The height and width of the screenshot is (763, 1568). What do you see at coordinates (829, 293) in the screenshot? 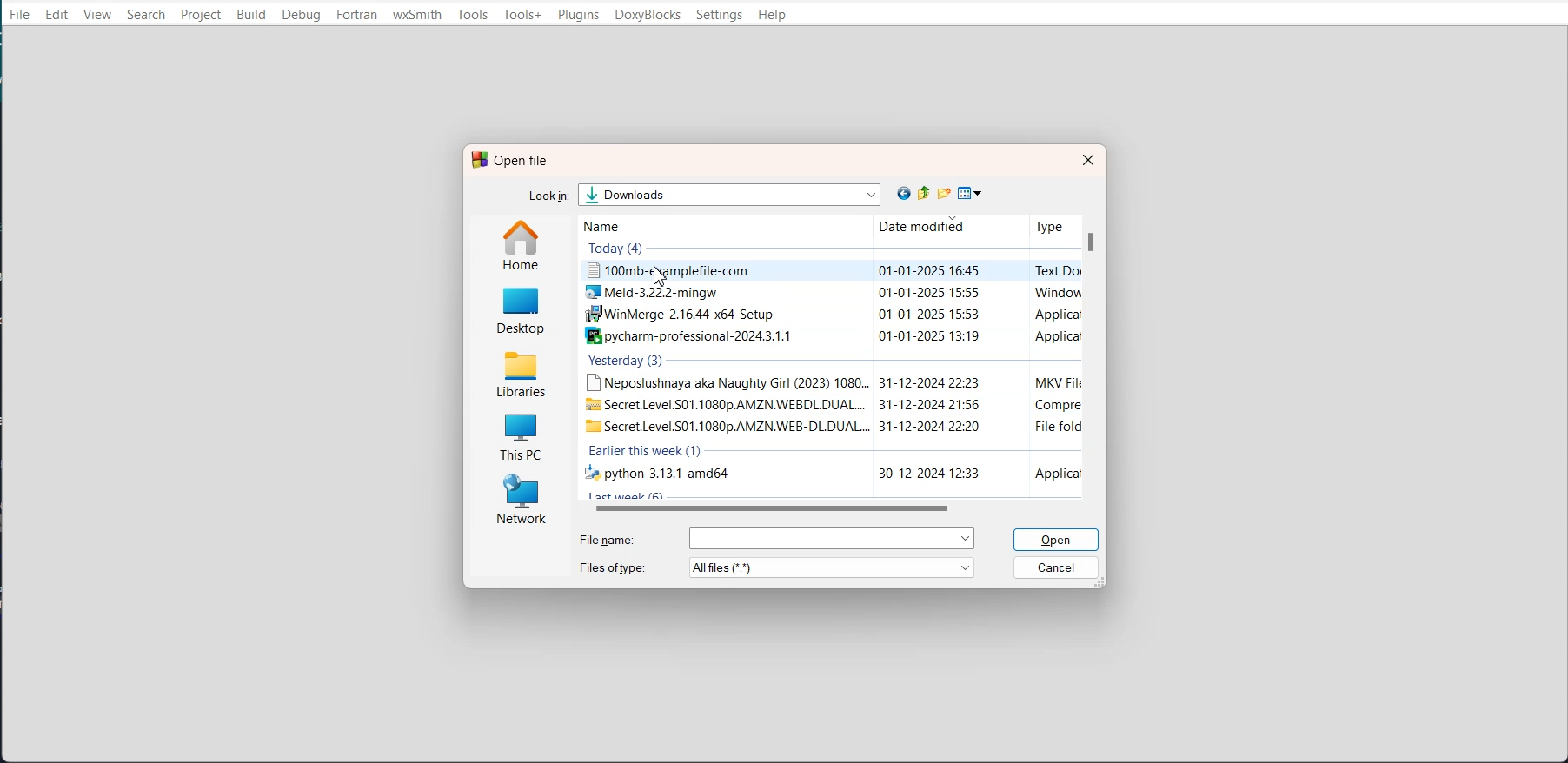
I see `meld-3.22.2-mingw` at bounding box center [829, 293].